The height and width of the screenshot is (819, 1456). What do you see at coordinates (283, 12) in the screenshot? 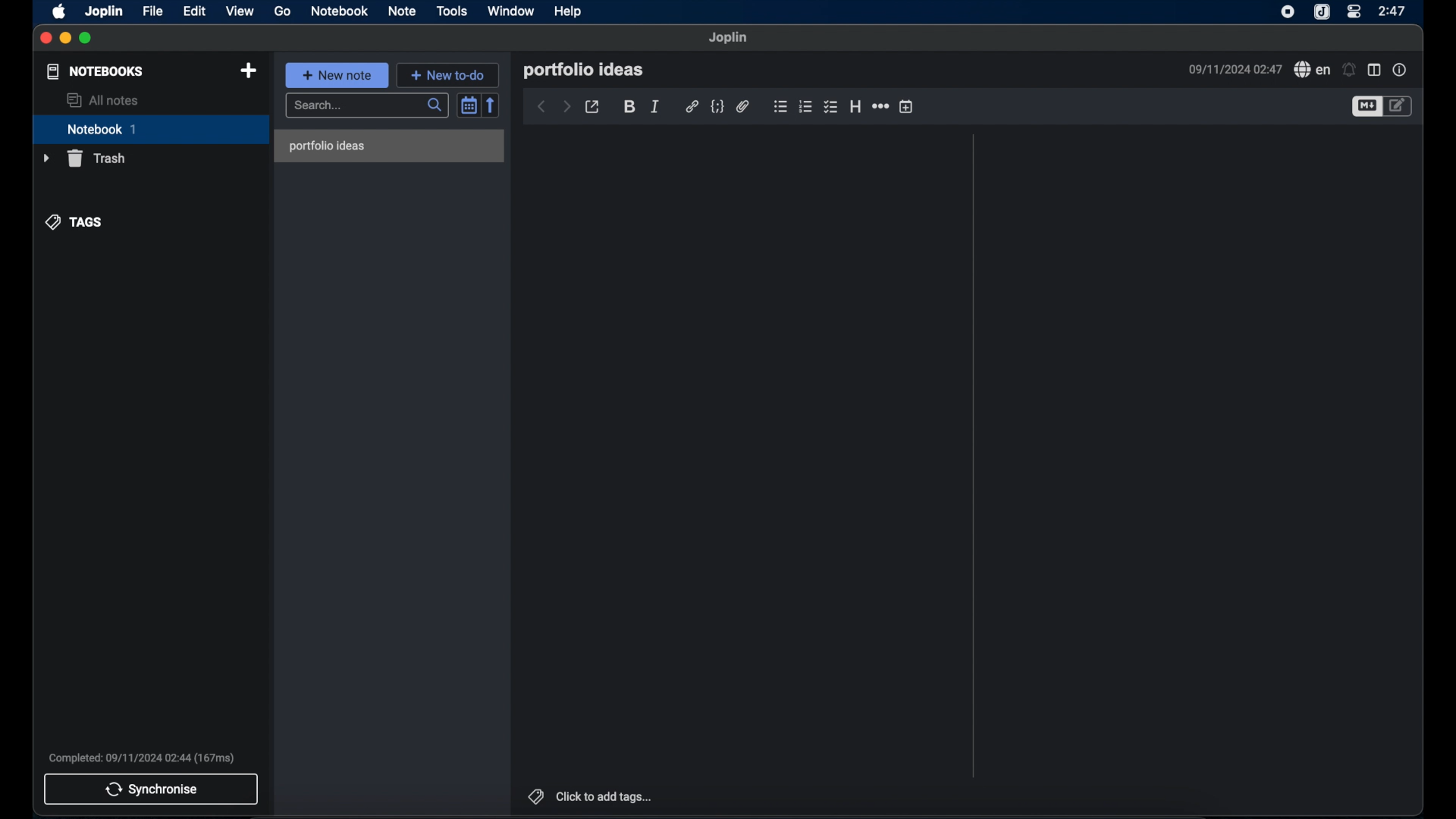
I see `go` at bounding box center [283, 12].